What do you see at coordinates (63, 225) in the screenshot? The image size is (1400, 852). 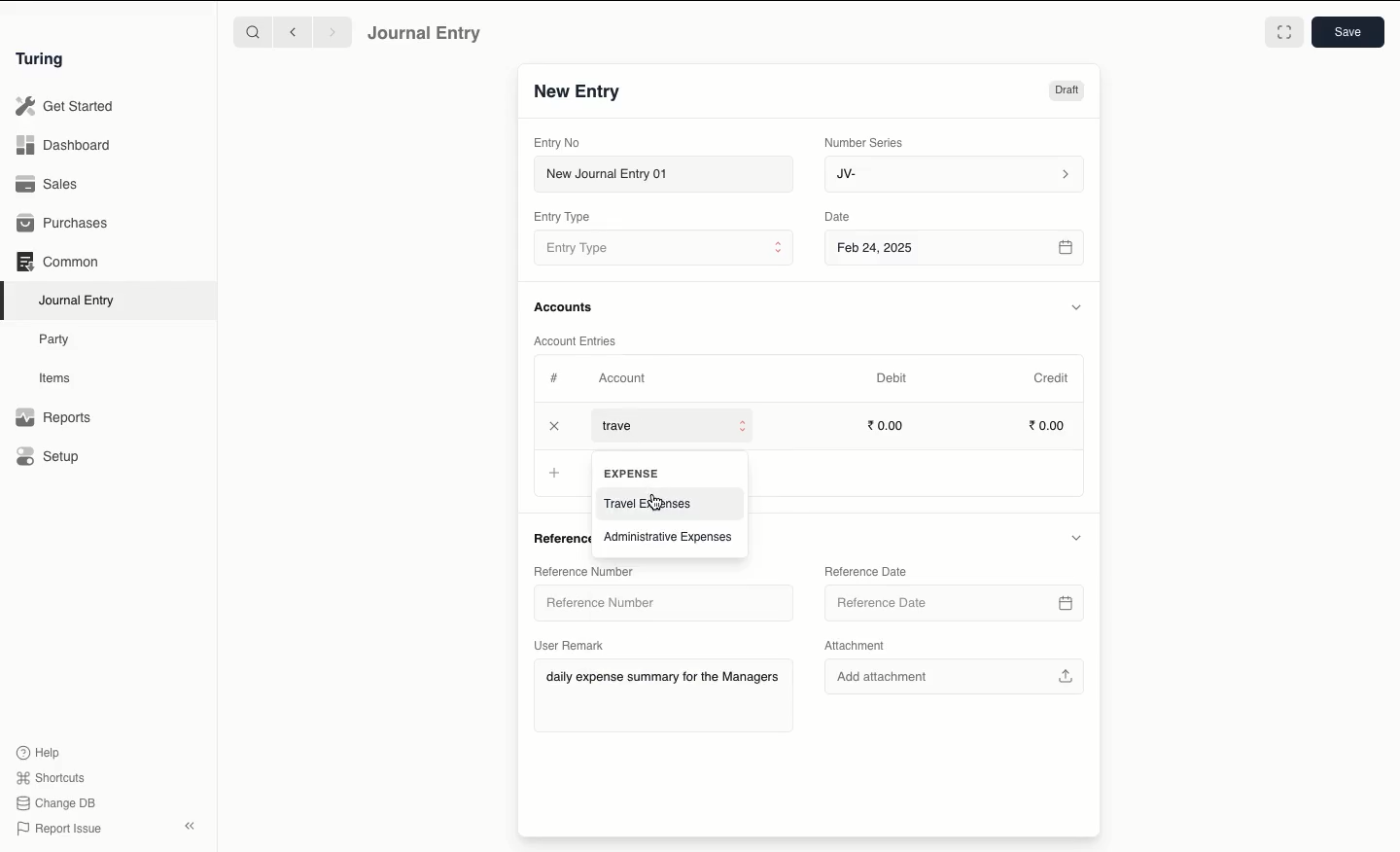 I see `Purchases` at bounding box center [63, 225].